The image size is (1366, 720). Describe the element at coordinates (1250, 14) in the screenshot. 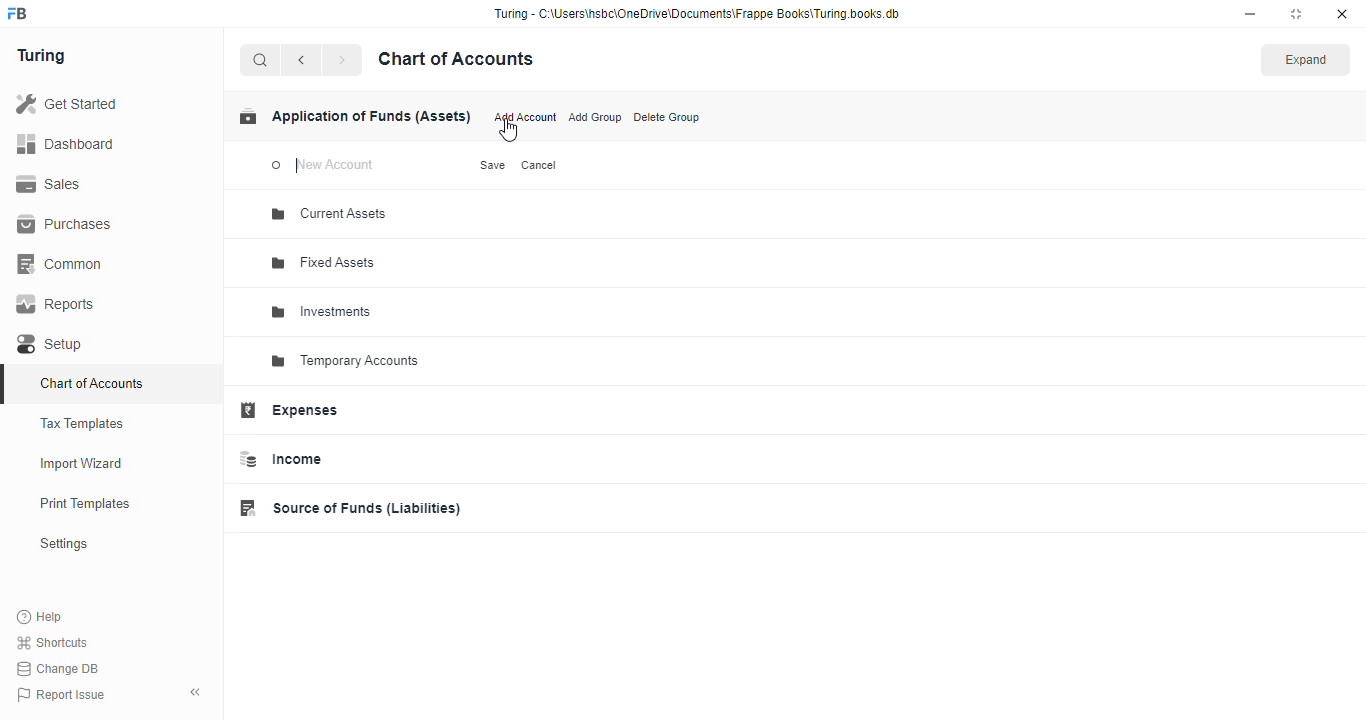

I see `minimize` at that location.